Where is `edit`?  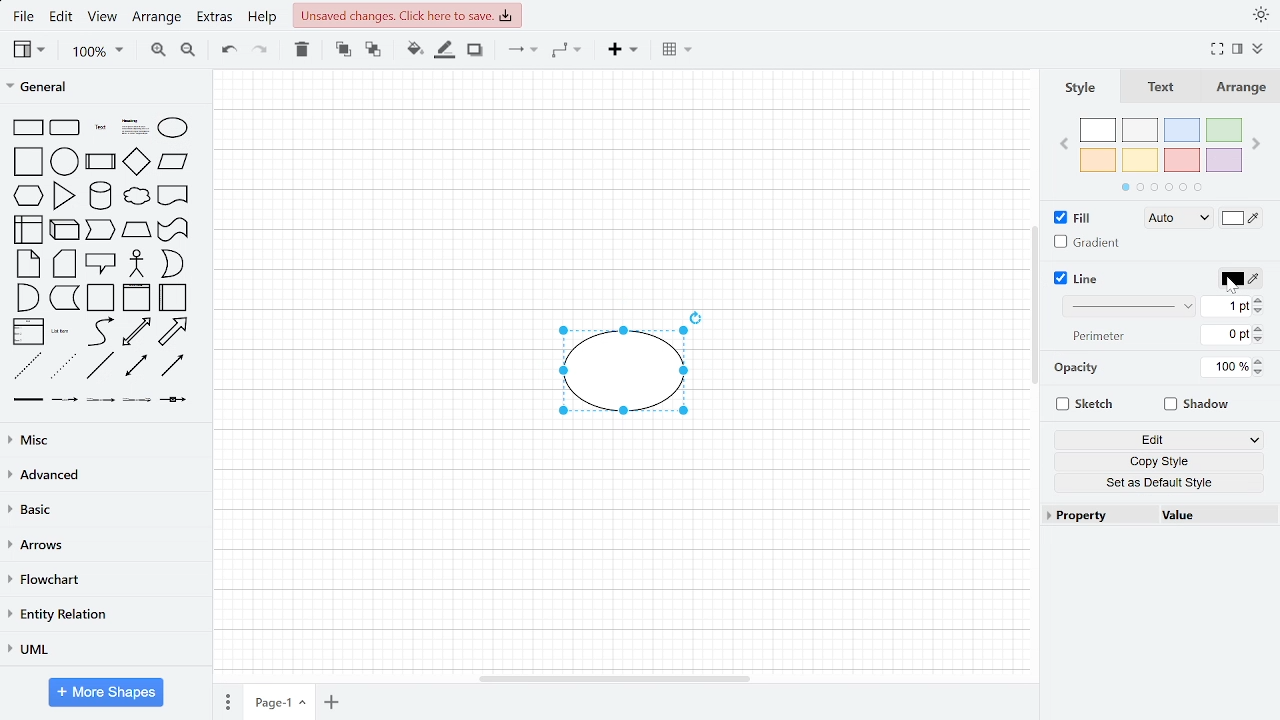
edit is located at coordinates (62, 19).